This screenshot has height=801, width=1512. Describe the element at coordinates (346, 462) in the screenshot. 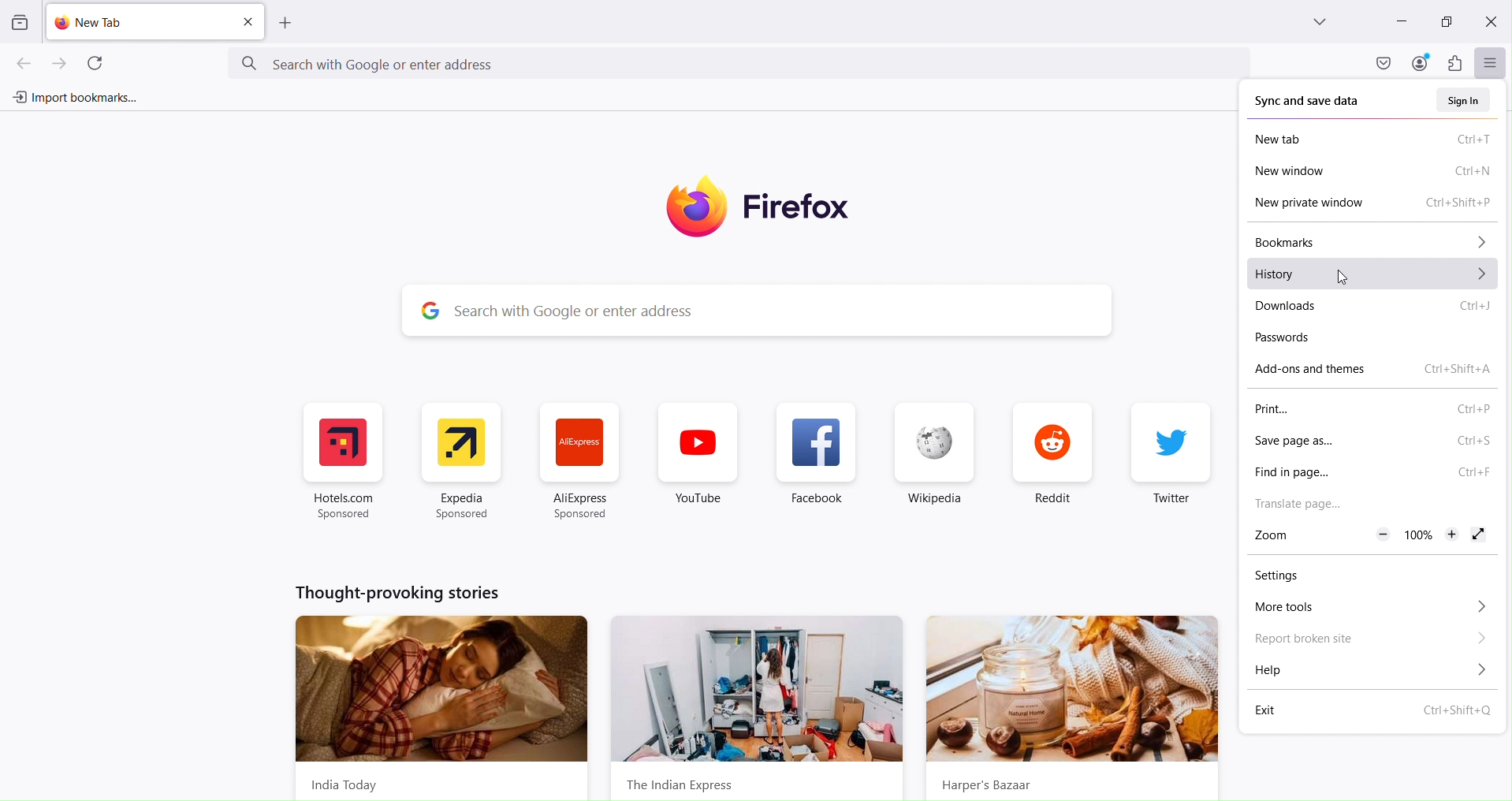

I see `Hotel.com Shortcut` at that location.